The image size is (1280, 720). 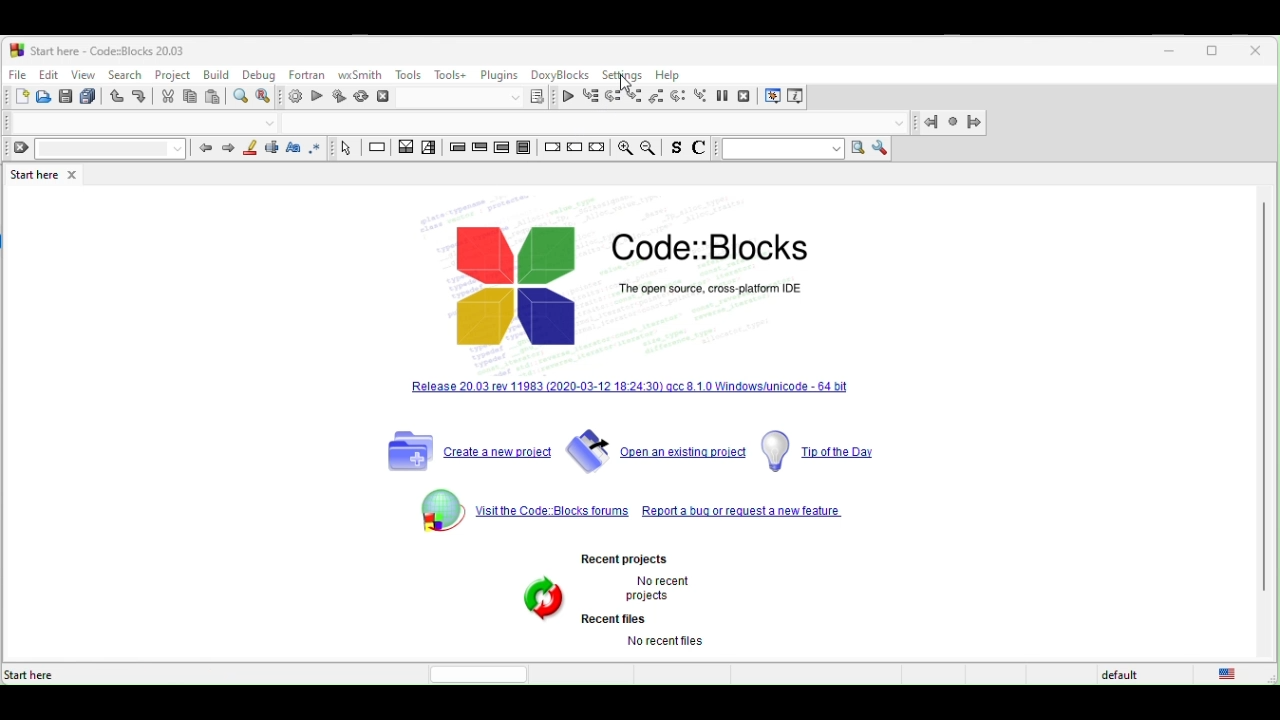 What do you see at coordinates (568, 97) in the screenshot?
I see `continue` at bounding box center [568, 97].